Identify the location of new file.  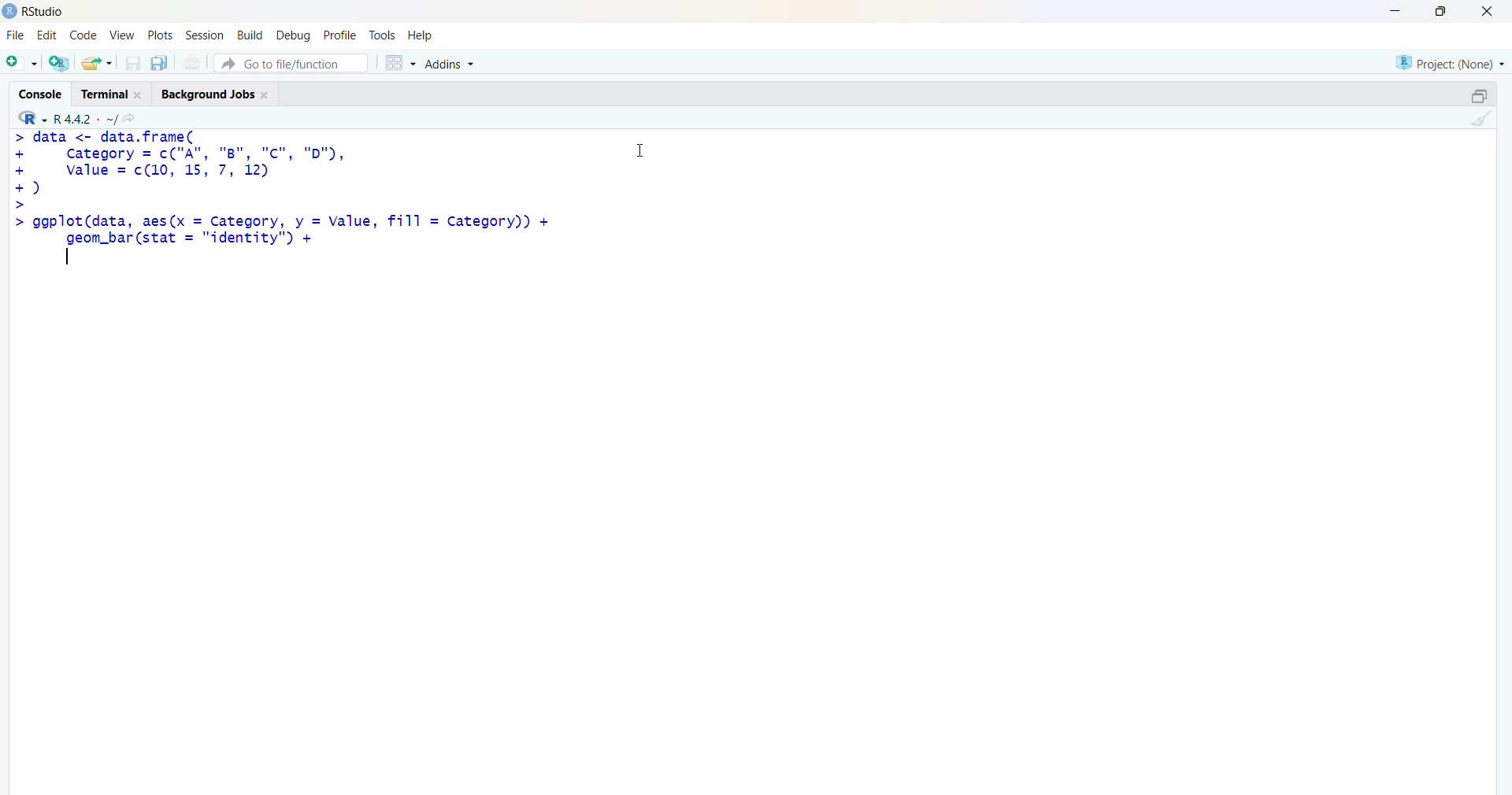
(21, 61).